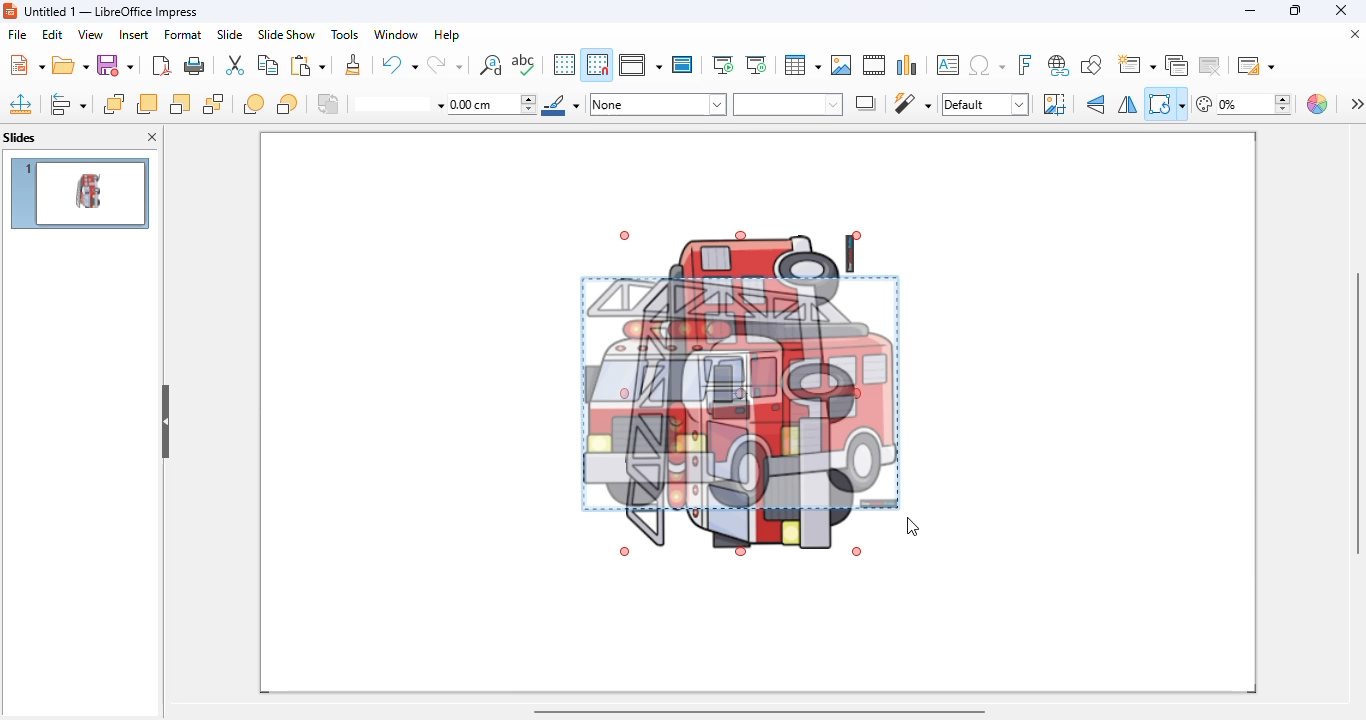  What do you see at coordinates (180, 104) in the screenshot?
I see `send backward` at bounding box center [180, 104].